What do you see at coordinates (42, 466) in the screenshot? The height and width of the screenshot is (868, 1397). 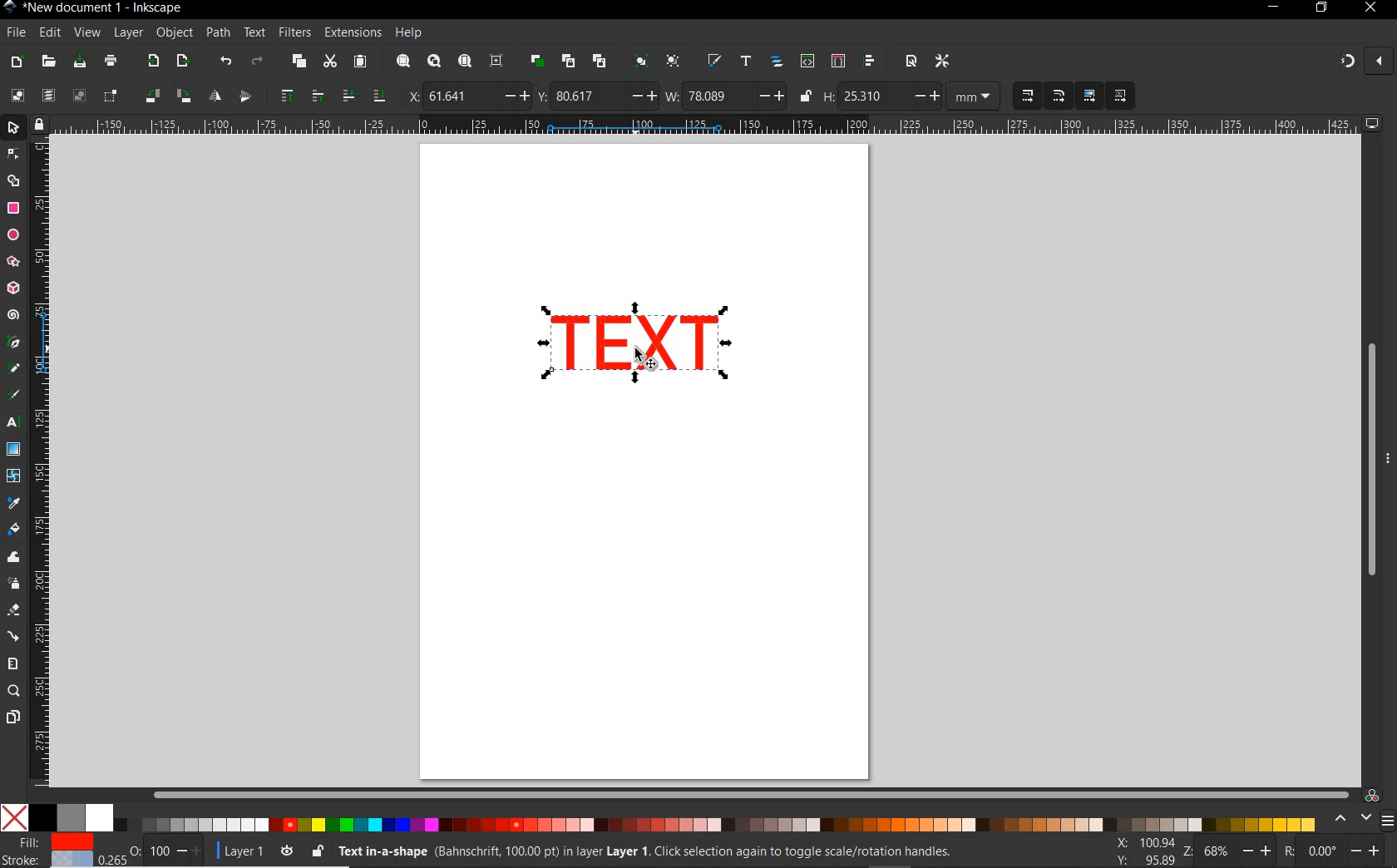 I see `ruler` at bounding box center [42, 466].